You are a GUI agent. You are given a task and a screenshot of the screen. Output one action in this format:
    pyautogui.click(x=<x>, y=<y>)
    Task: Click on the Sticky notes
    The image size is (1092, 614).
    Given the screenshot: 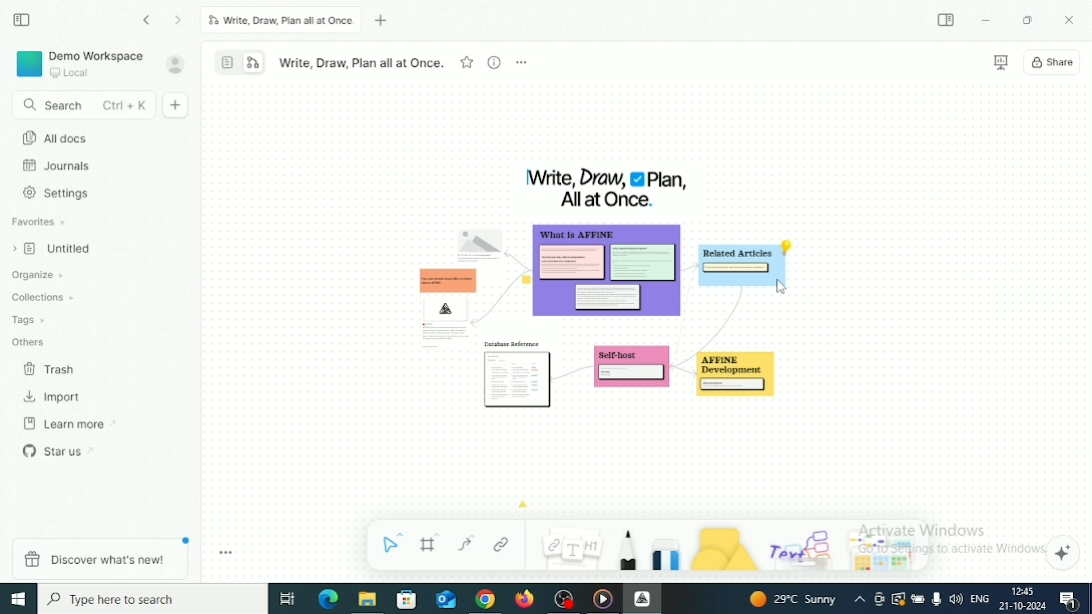 What is the action you would take?
    pyautogui.click(x=519, y=377)
    